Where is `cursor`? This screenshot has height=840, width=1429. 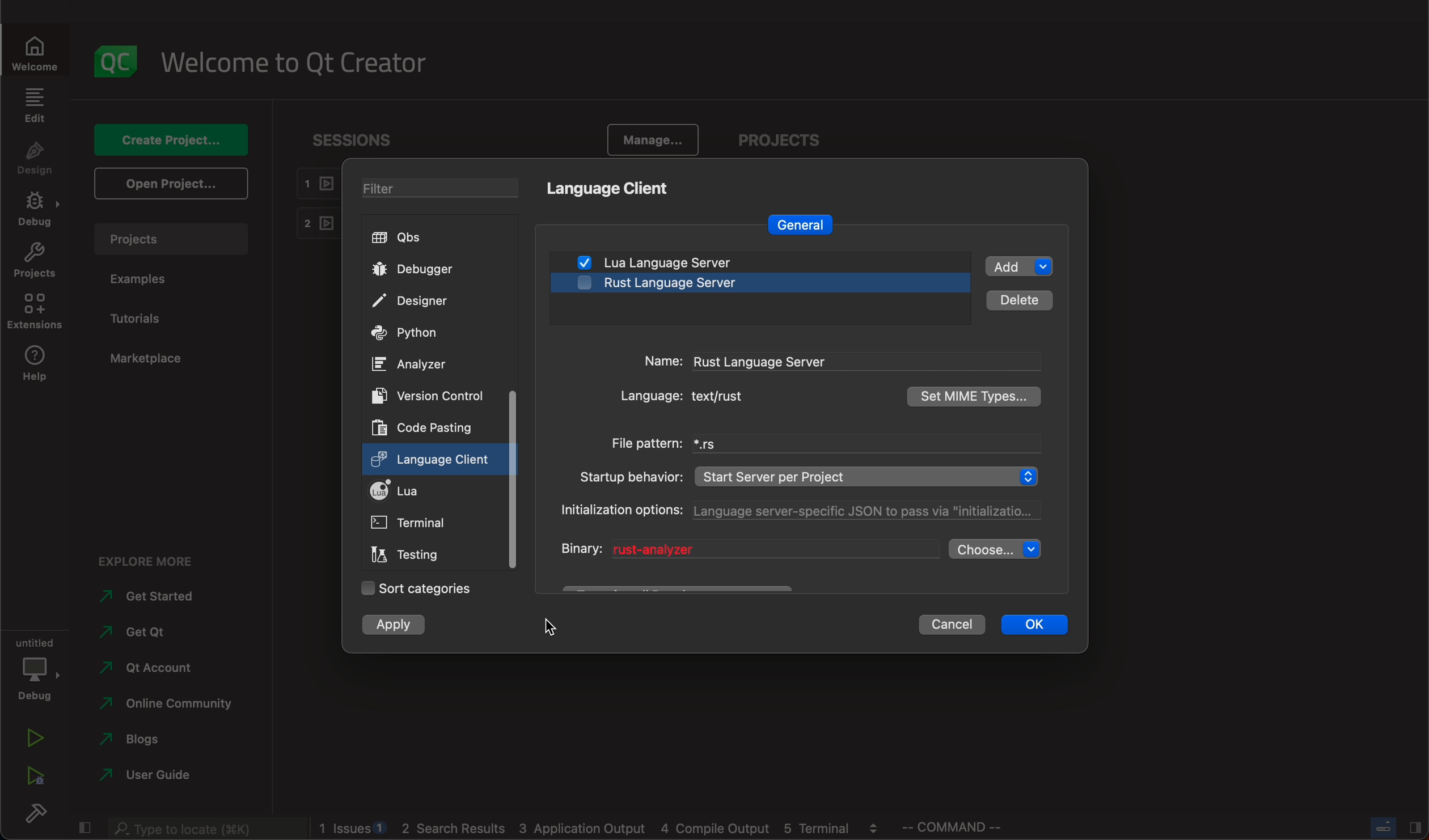
cursor is located at coordinates (557, 624).